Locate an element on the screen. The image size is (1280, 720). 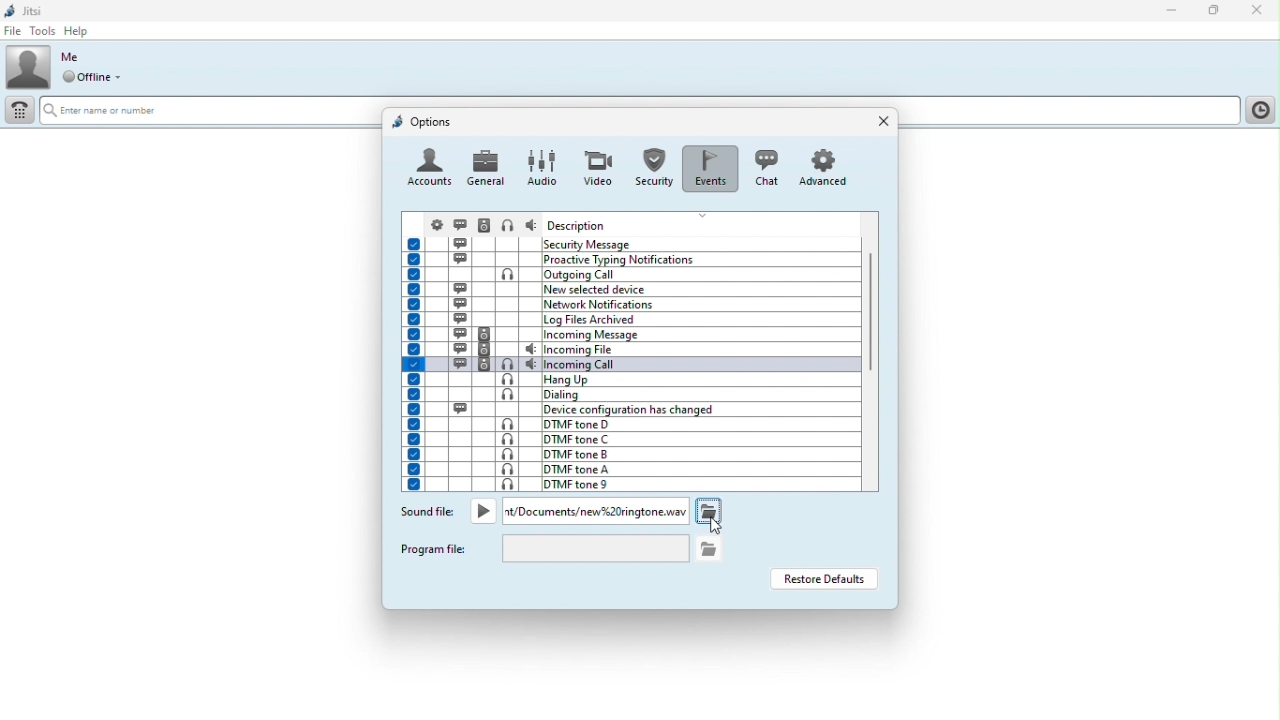
DTMF tone B is located at coordinates (626, 454).